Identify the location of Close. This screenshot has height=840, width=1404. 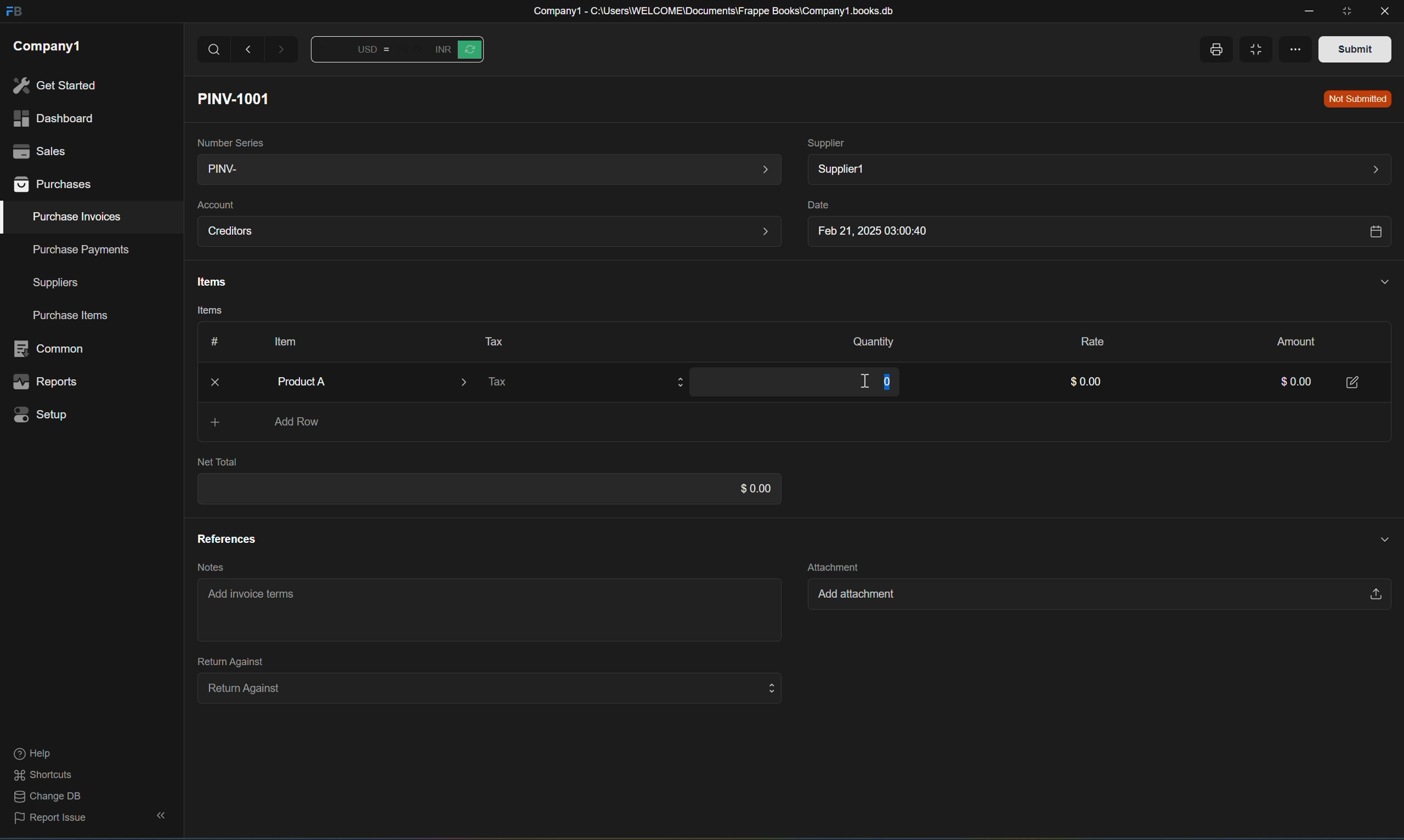
(217, 383).